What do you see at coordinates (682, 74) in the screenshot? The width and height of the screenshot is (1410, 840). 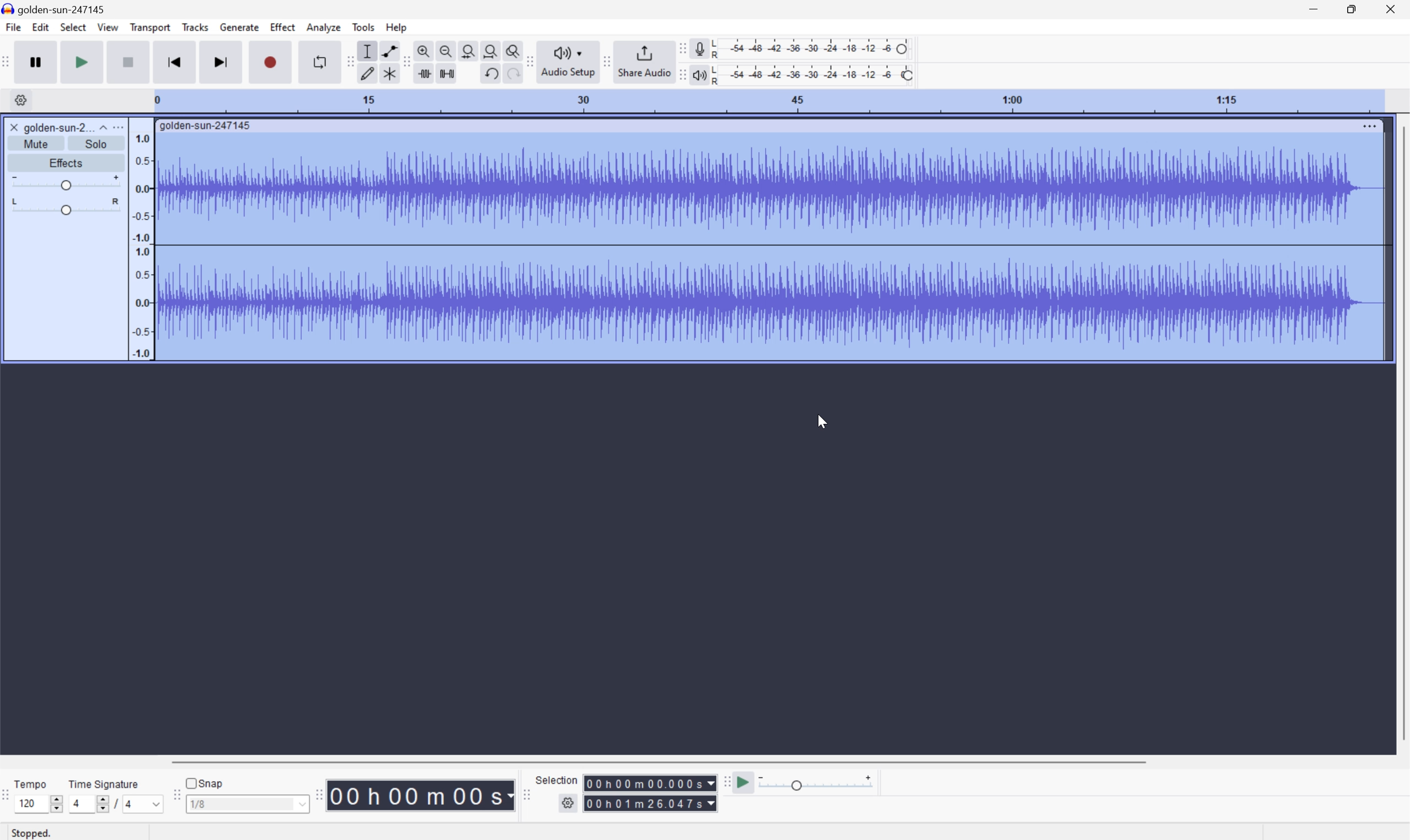 I see `Audacity playback meter toolbar` at bounding box center [682, 74].